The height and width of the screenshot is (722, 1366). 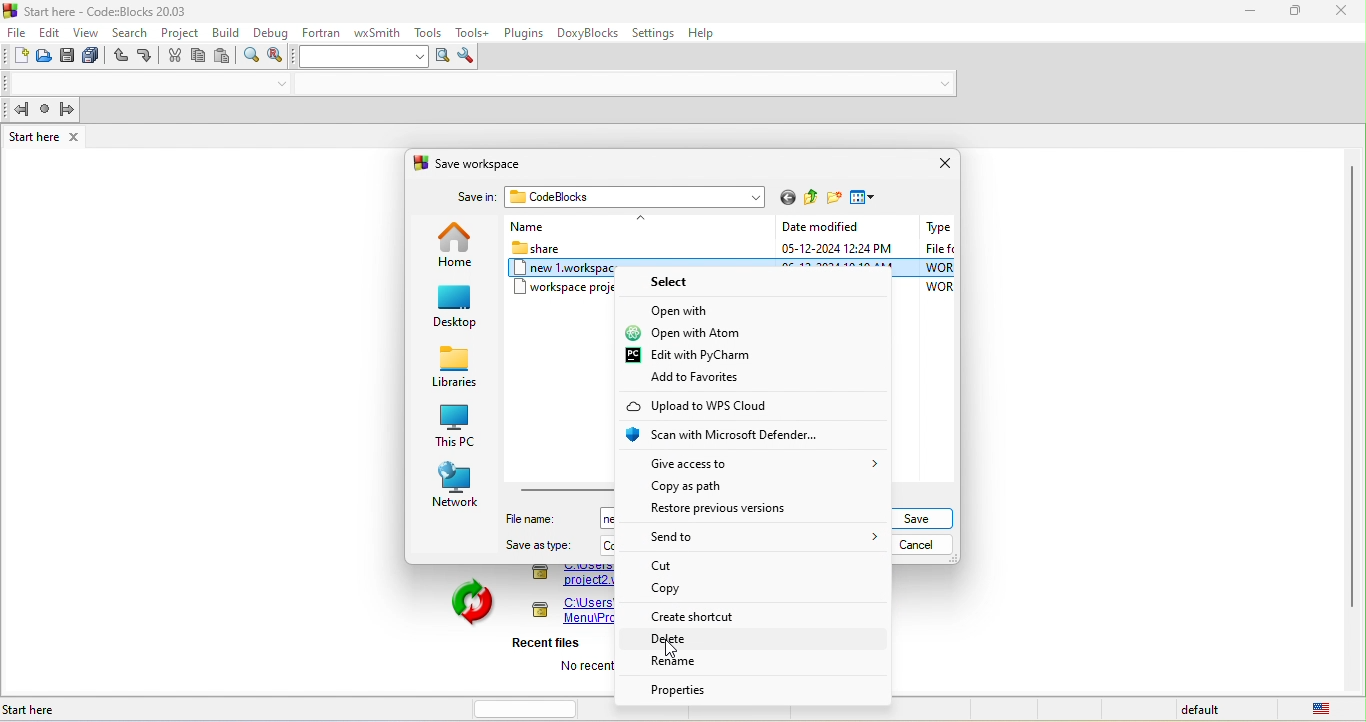 What do you see at coordinates (656, 33) in the screenshot?
I see `settings` at bounding box center [656, 33].